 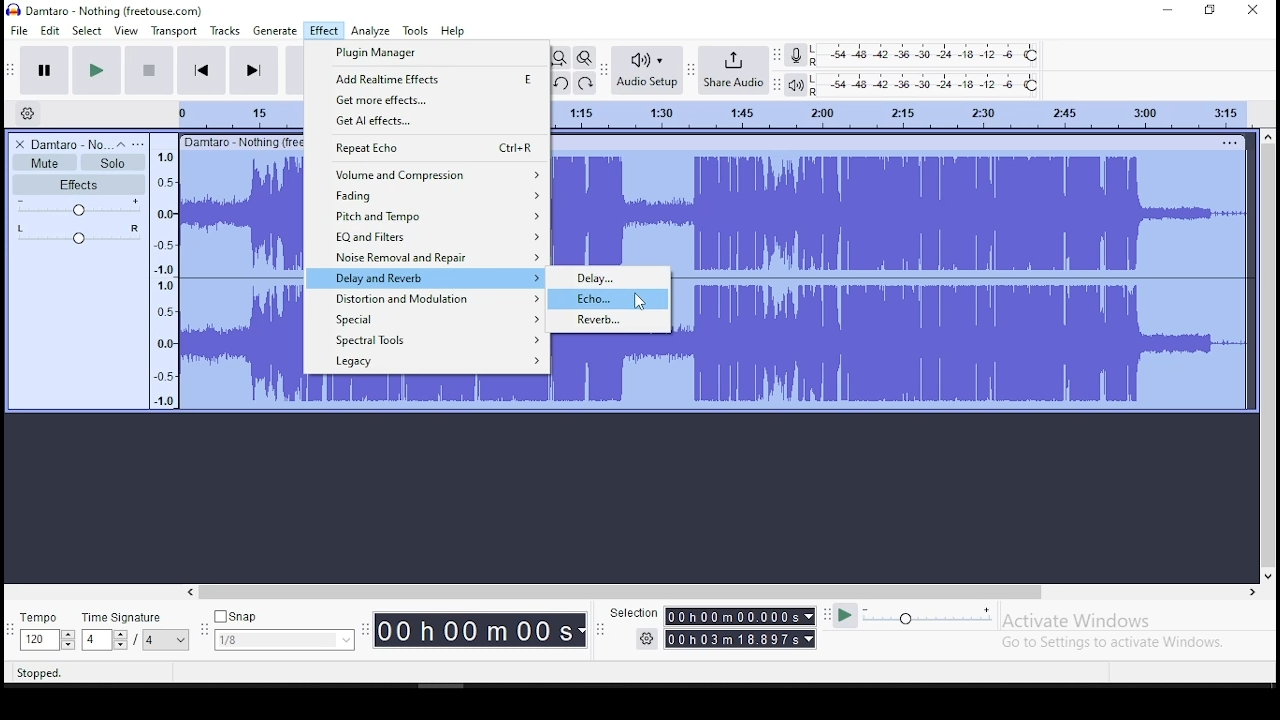 I want to click on , so click(x=775, y=55).